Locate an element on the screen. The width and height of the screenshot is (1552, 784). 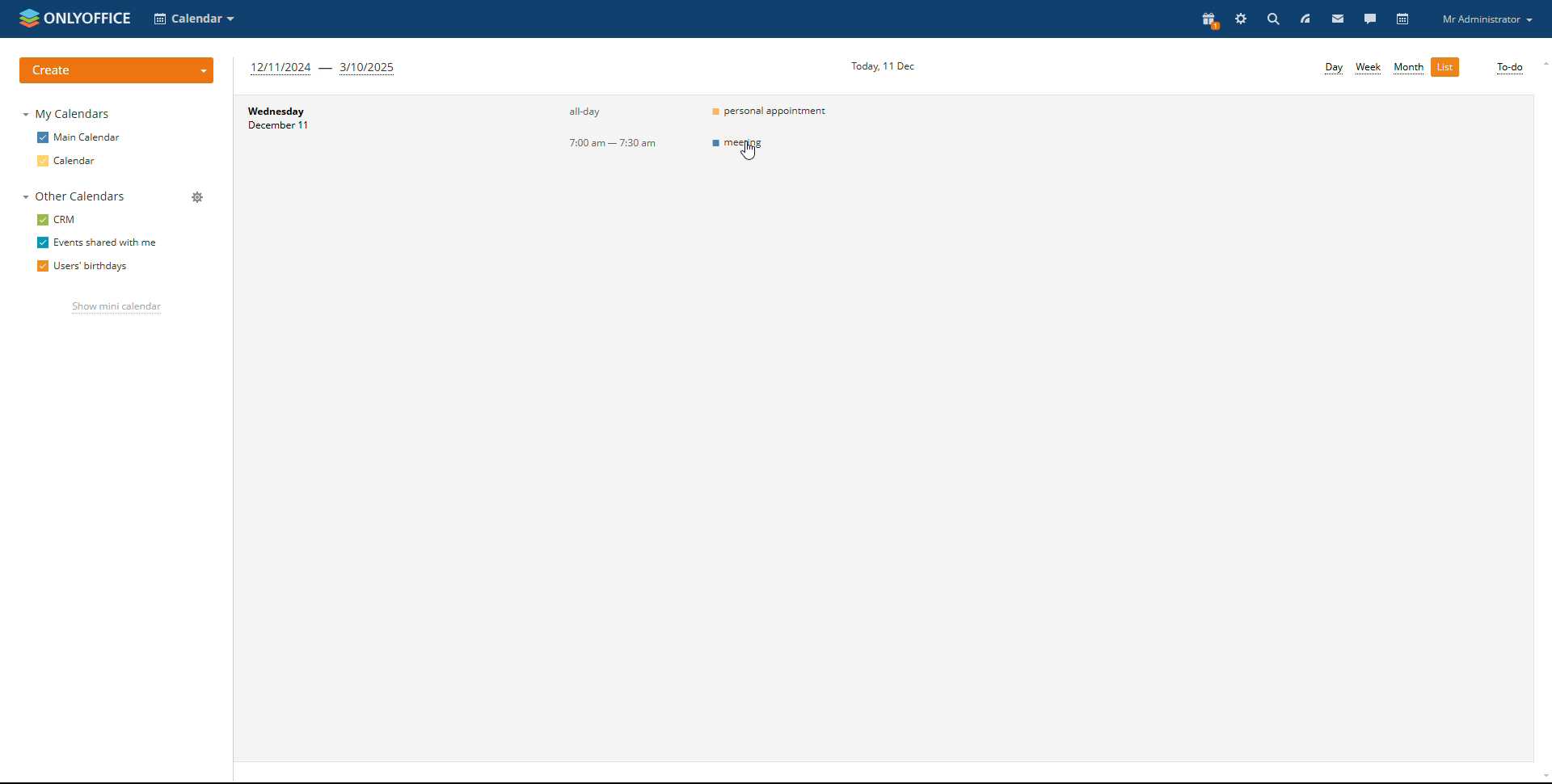
scroll up is located at coordinates (1542, 65).